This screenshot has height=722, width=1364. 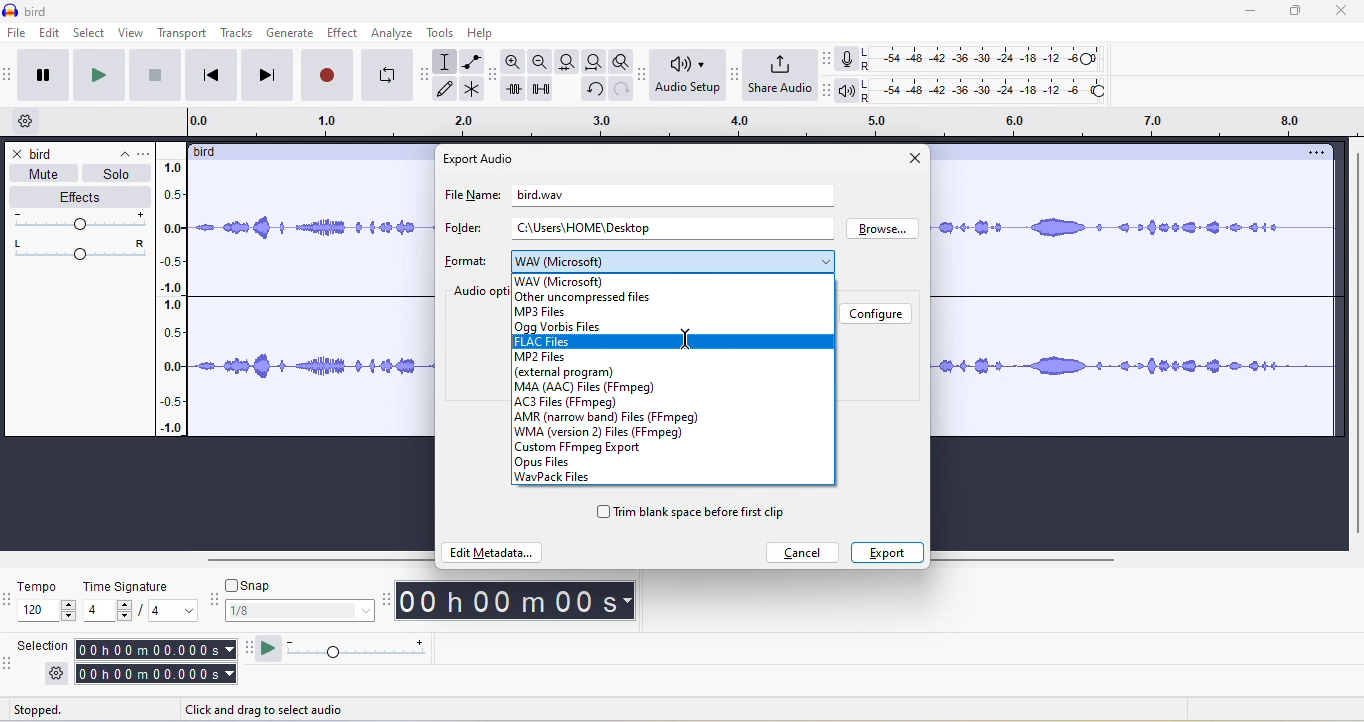 What do you see at coordinates (291, 33) in the screenshot?
I see `generate` at bounding box center [291, 33].